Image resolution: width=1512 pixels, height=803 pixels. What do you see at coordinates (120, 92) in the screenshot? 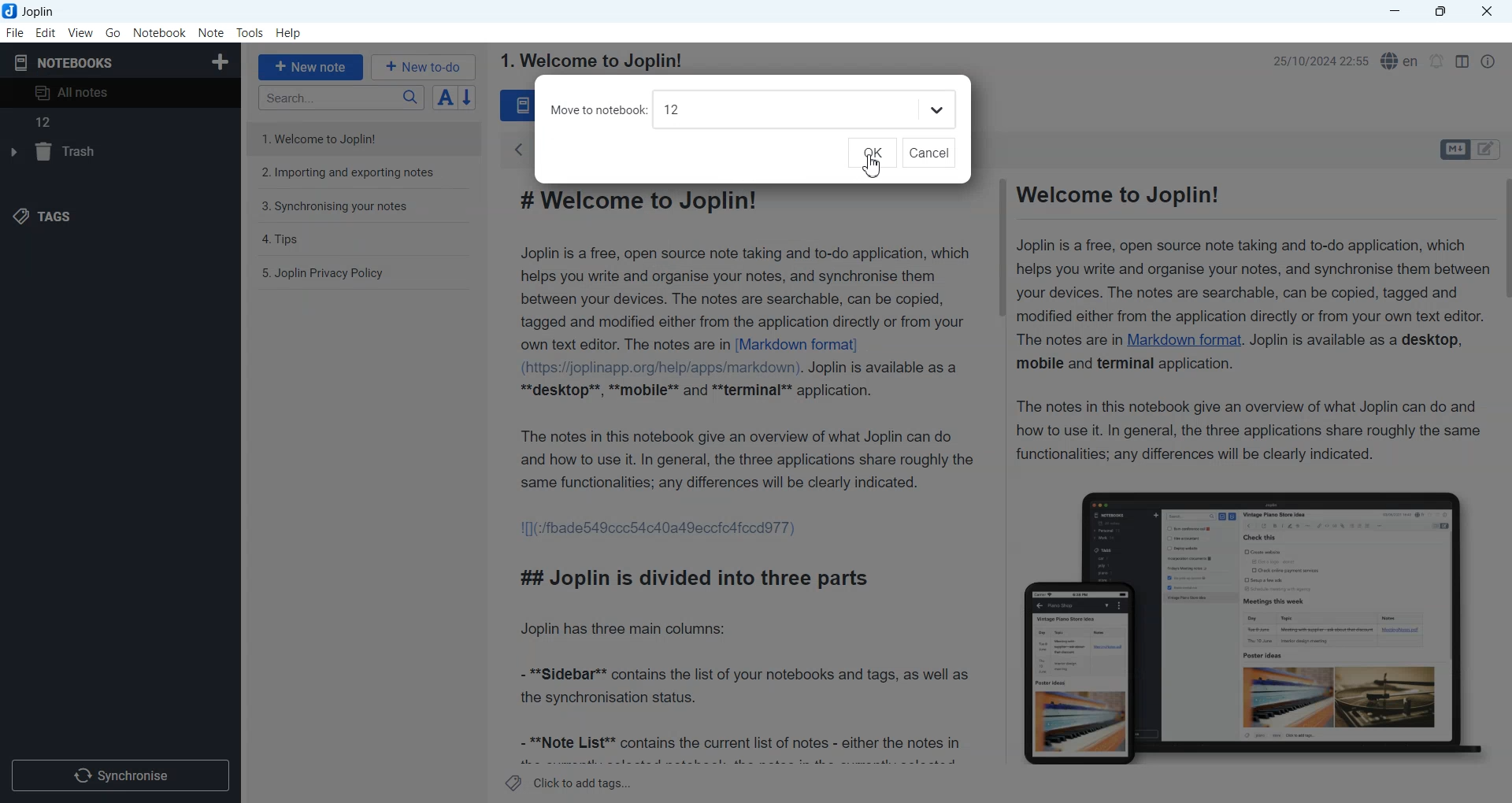
I see `All notes` at bounding box center [120, 92].